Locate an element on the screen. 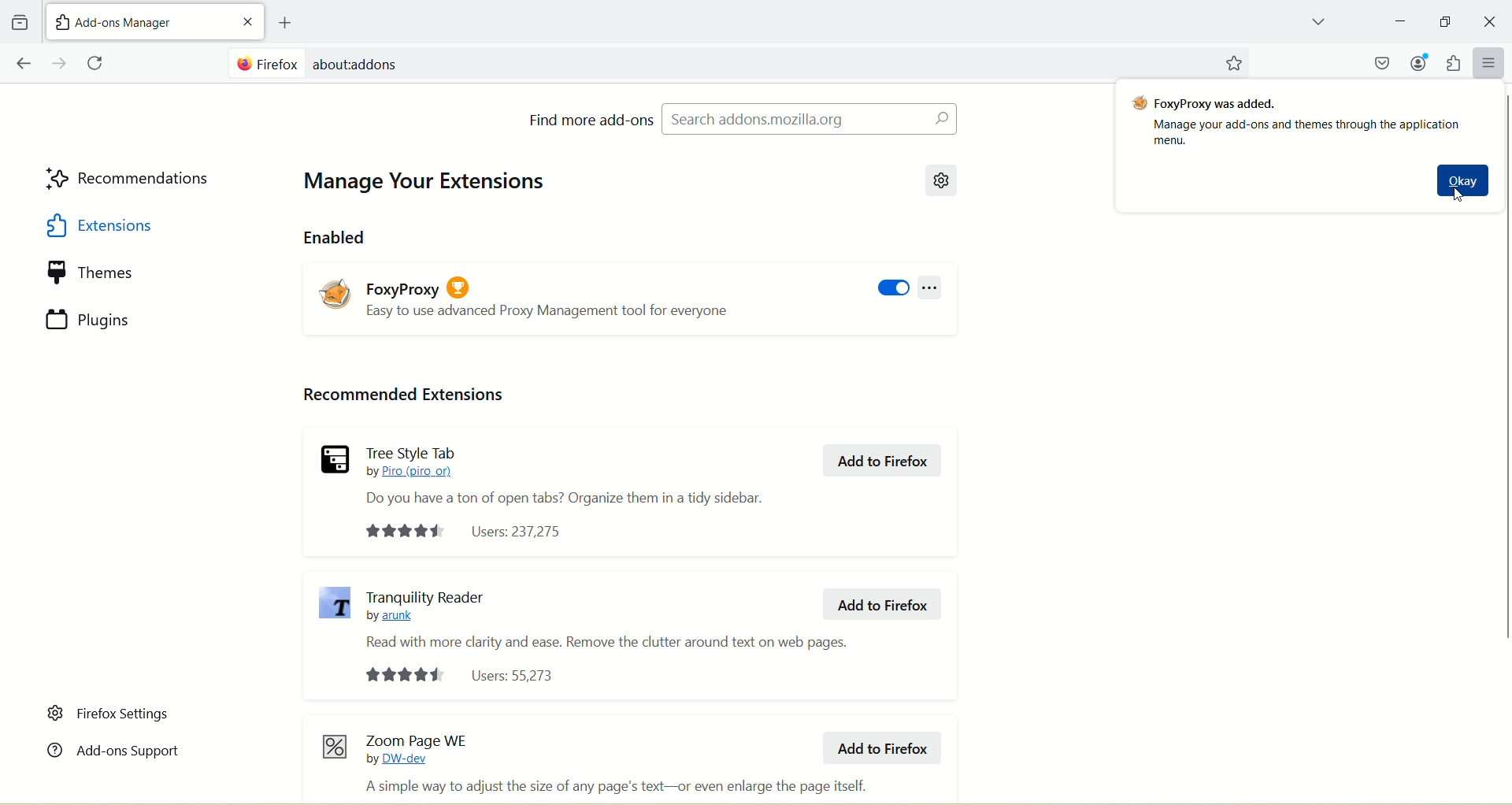  More is located at coordinates (1490, 62).